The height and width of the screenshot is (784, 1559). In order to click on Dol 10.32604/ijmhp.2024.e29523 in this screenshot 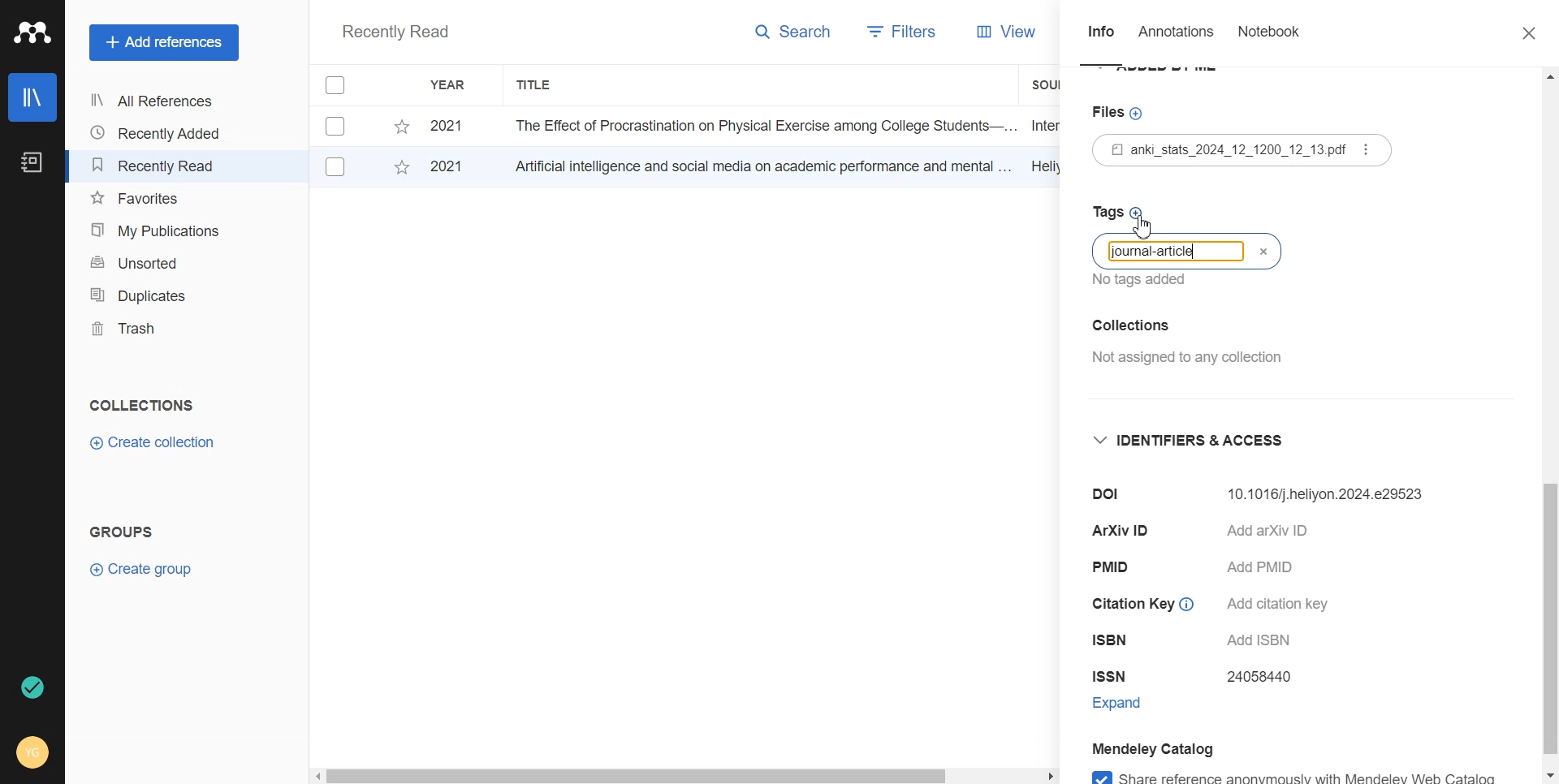, I will do `click(1268, 494)`.